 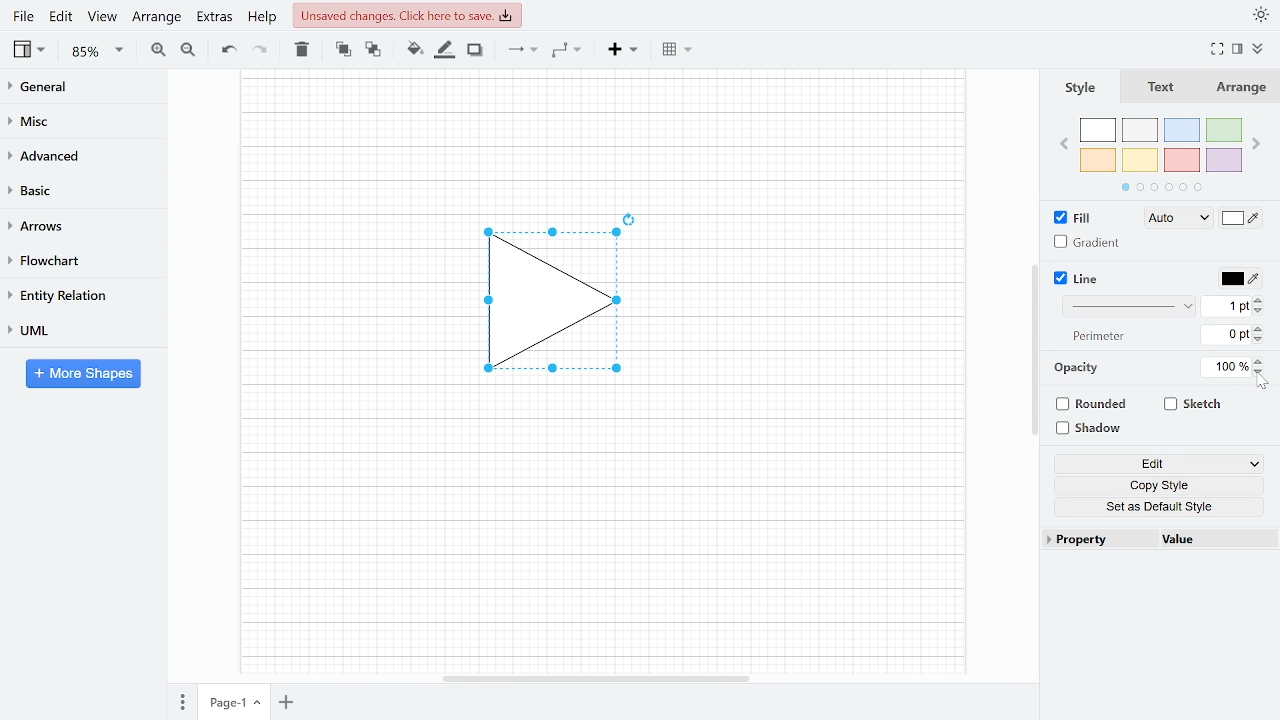 I want to click on Opacity, so click(x=1078, y=368).